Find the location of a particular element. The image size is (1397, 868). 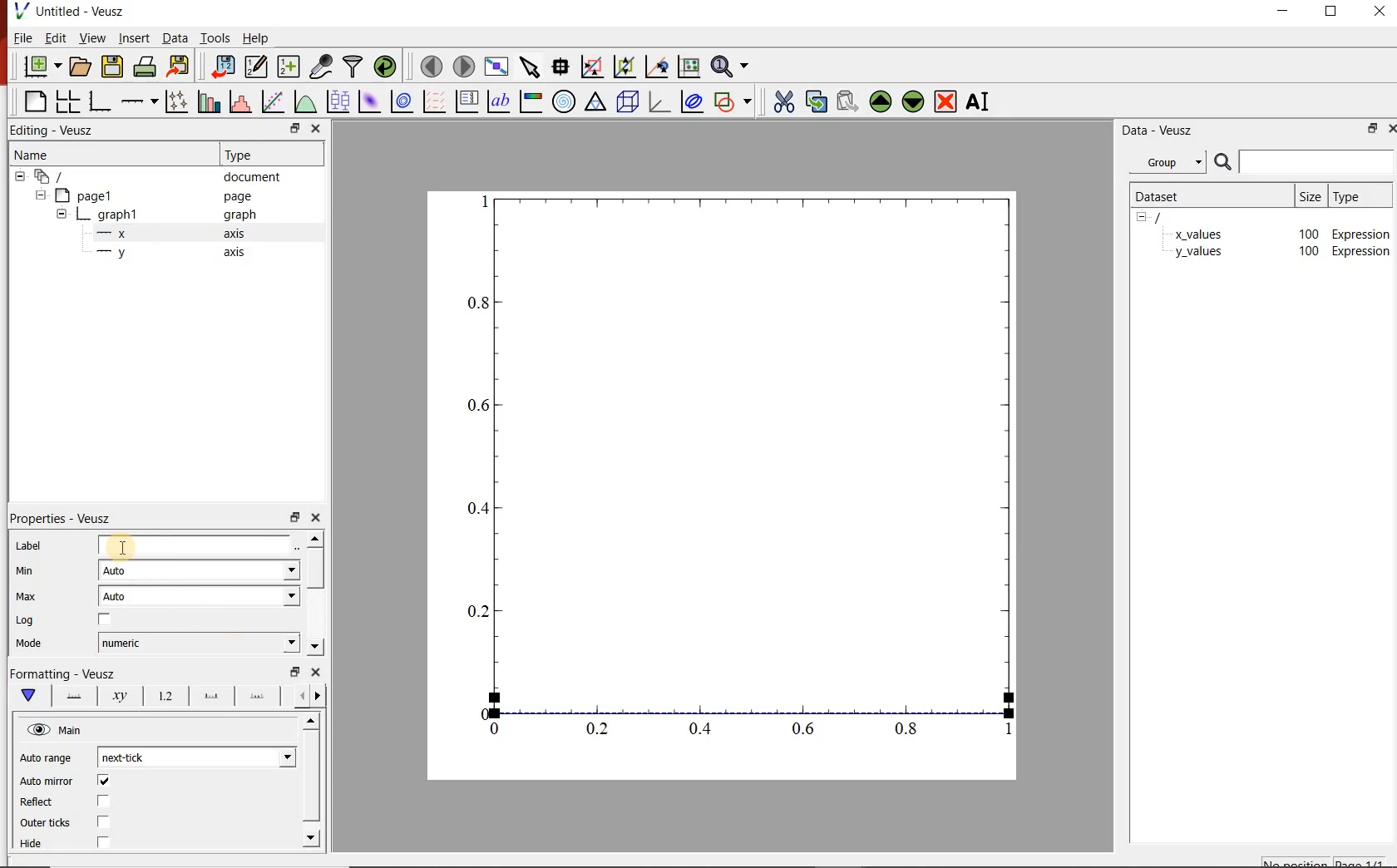

minor ticks is located at coordinates (259, 696).